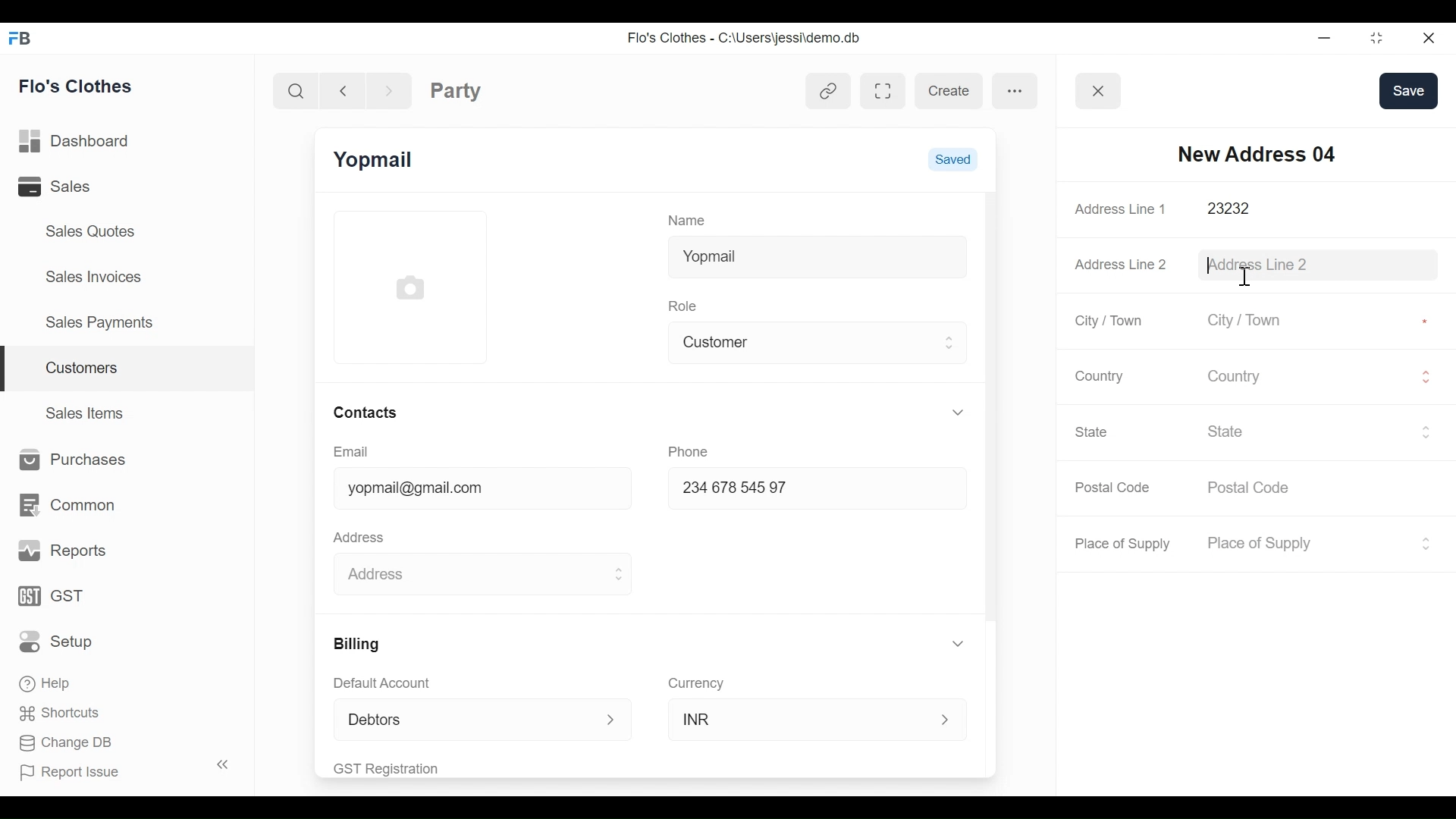 The height and width of the screenshot is (819, 1456). What do you see at coordinates (1097, 375) in the screenshot?
I see `Country` at bounding box center [1097, 375].